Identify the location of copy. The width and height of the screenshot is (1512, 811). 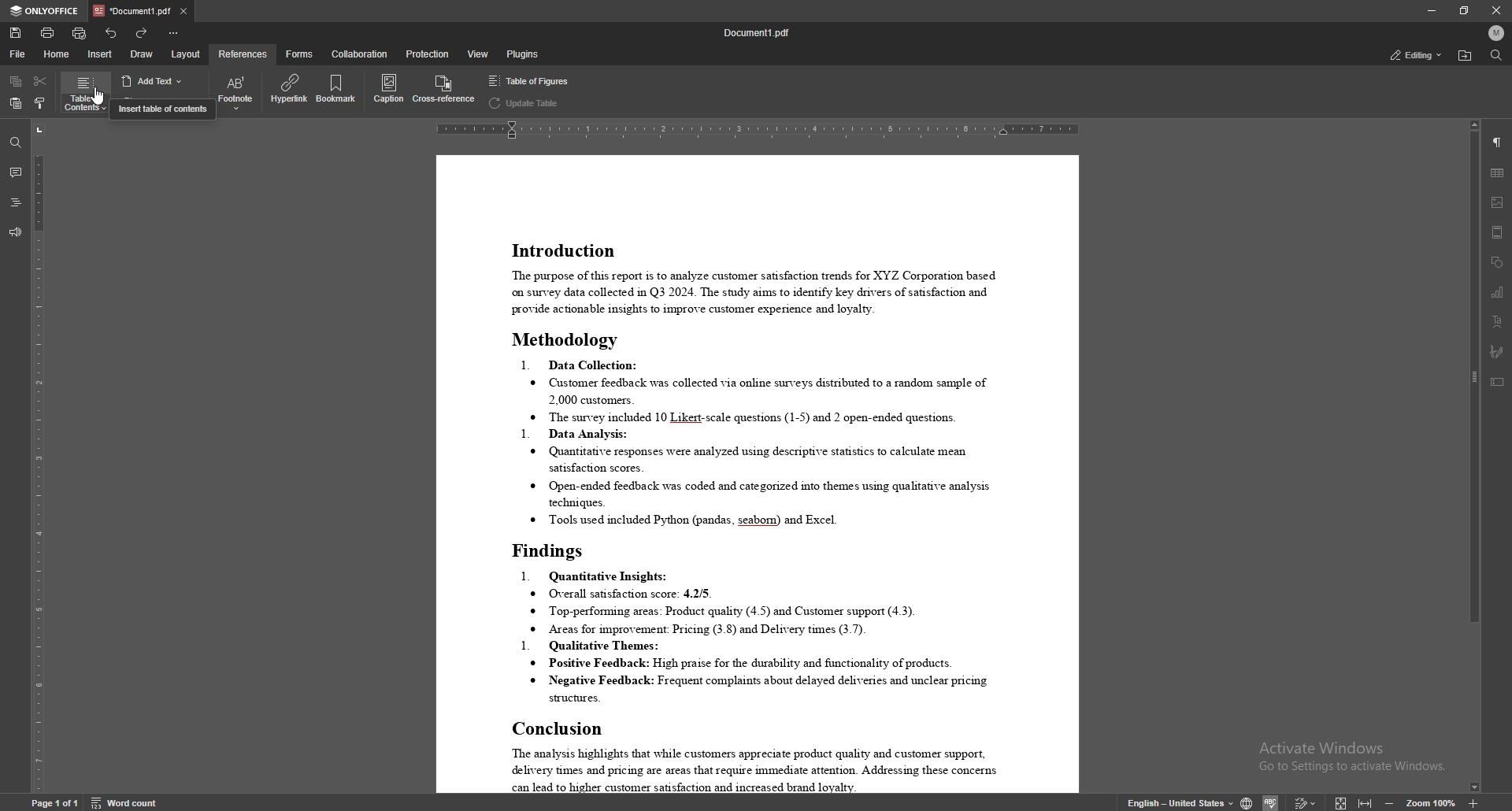
(17, 80).